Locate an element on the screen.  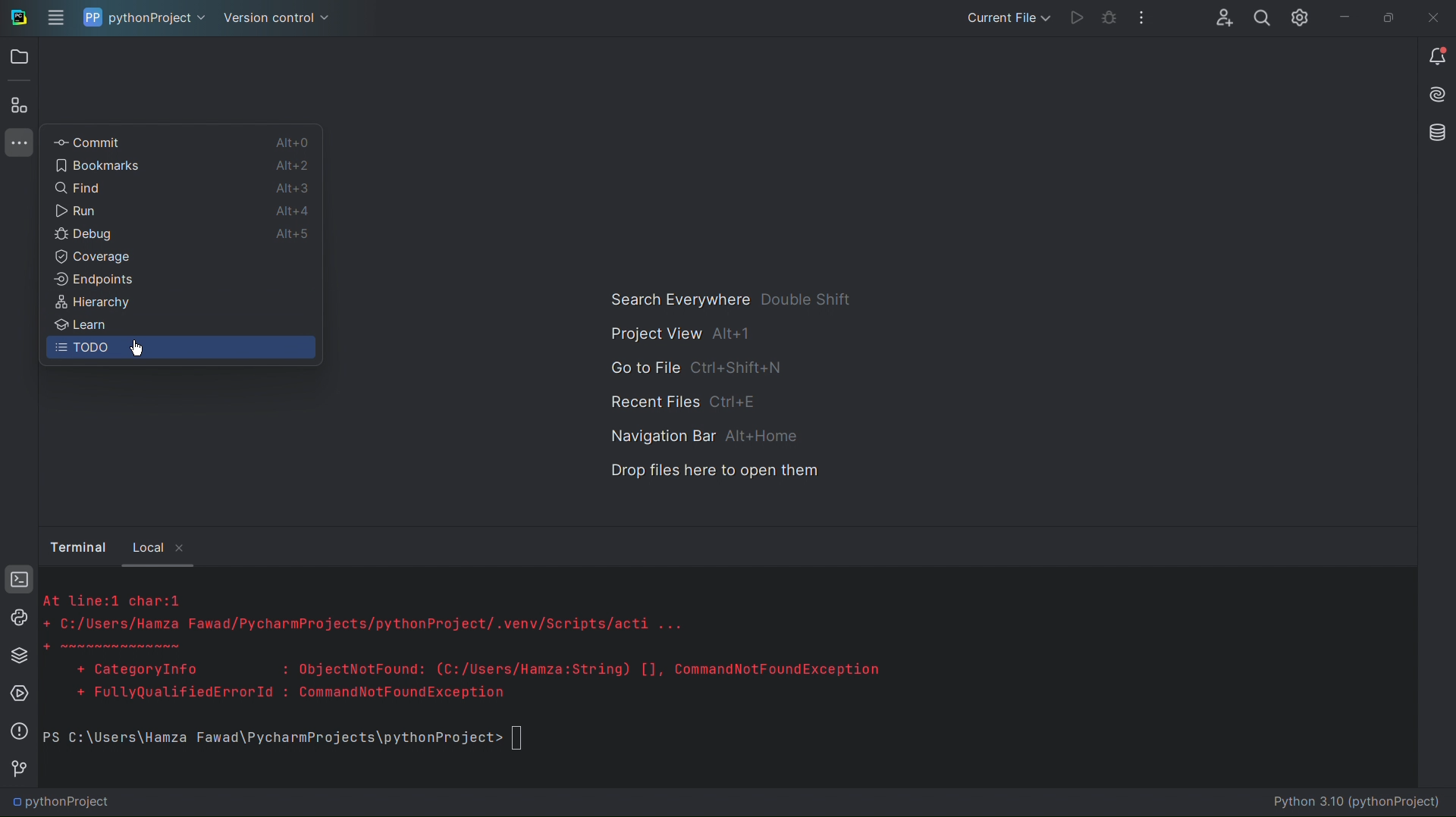
Problems is located at coordinates (15, 731).